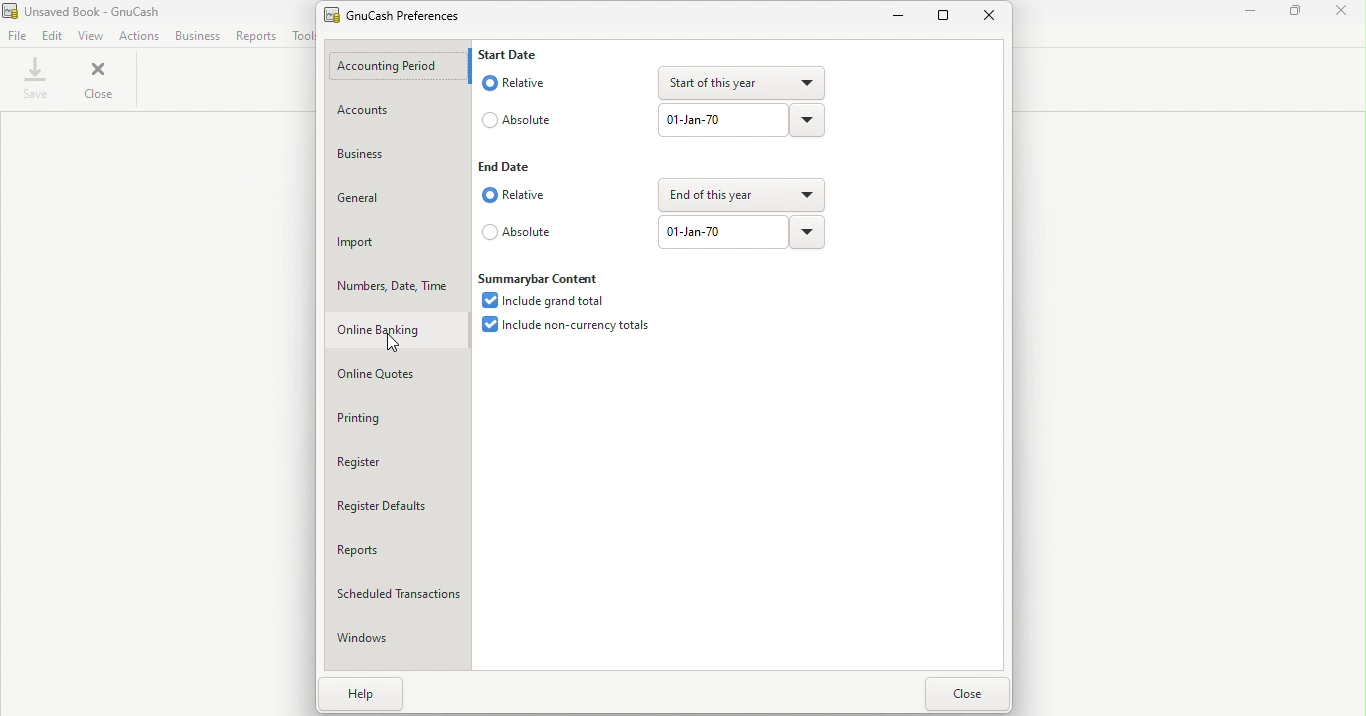 Image resolution: width=1366 pixels, height=716 pixels. I want to click on Drop down, so click(743, 195).